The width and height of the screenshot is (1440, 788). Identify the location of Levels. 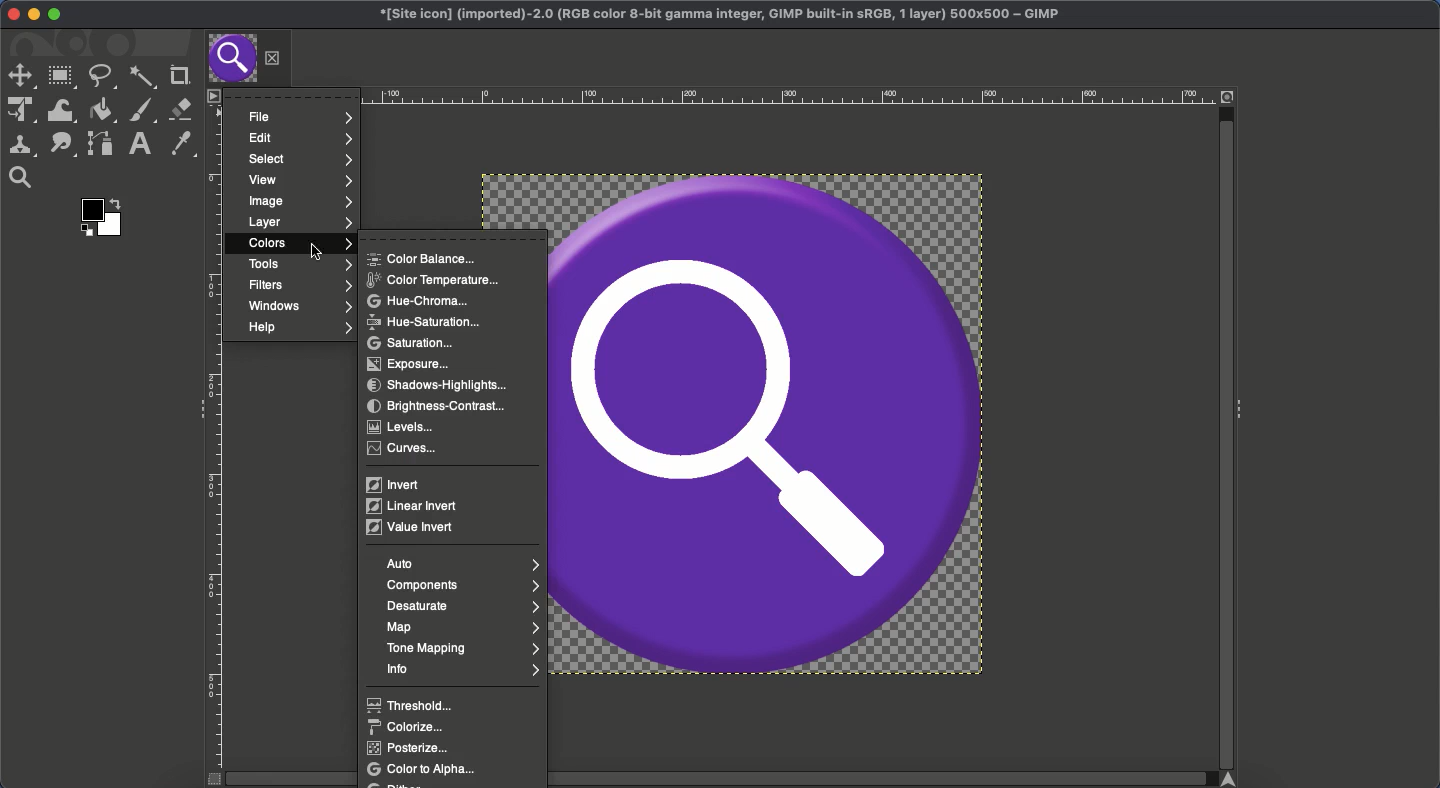
(402, 426).